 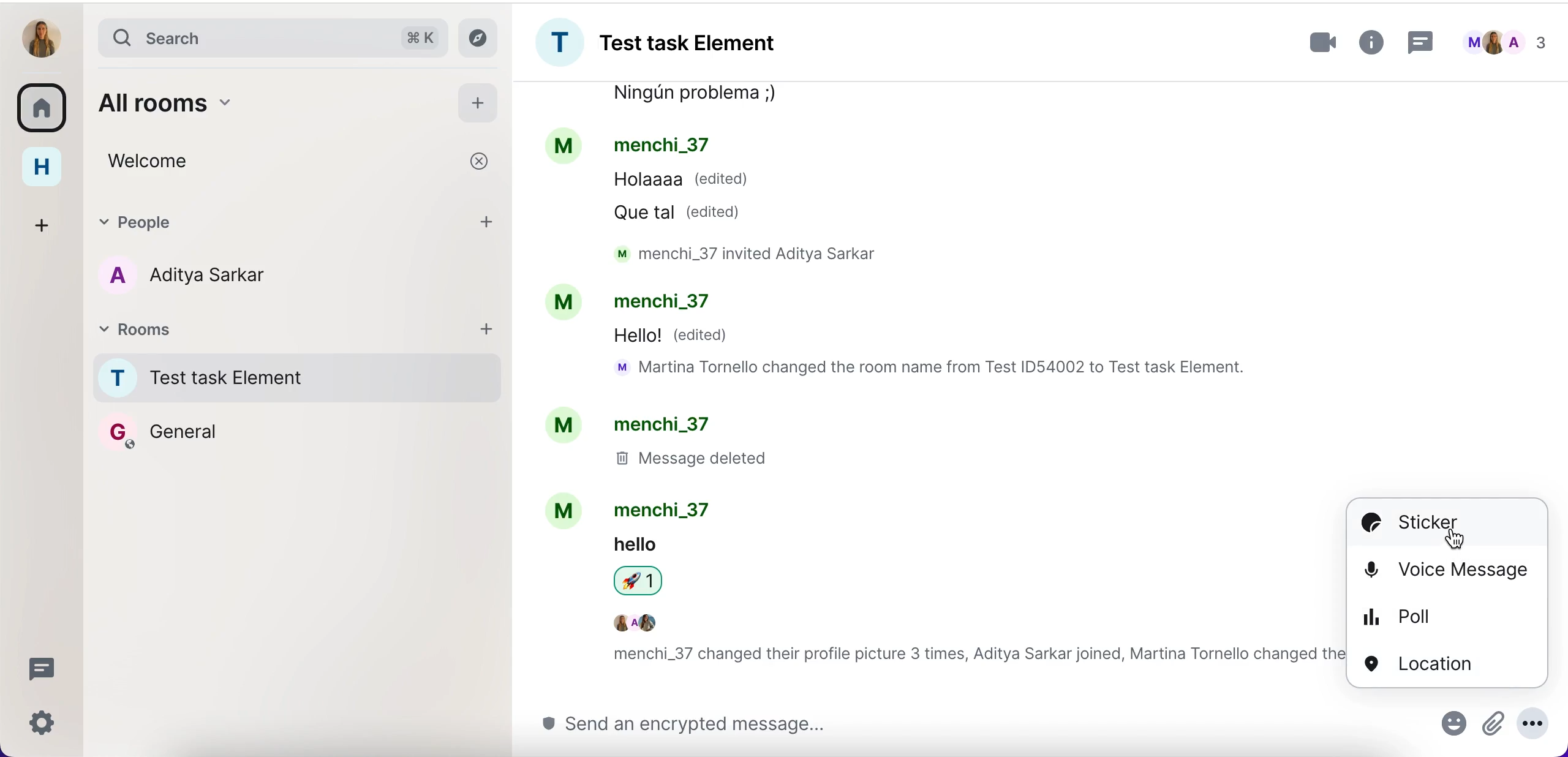 What do you see at coordinates (1323, 43) in the screenshot?
I see `videocall` at bounding box center [1323, 43].